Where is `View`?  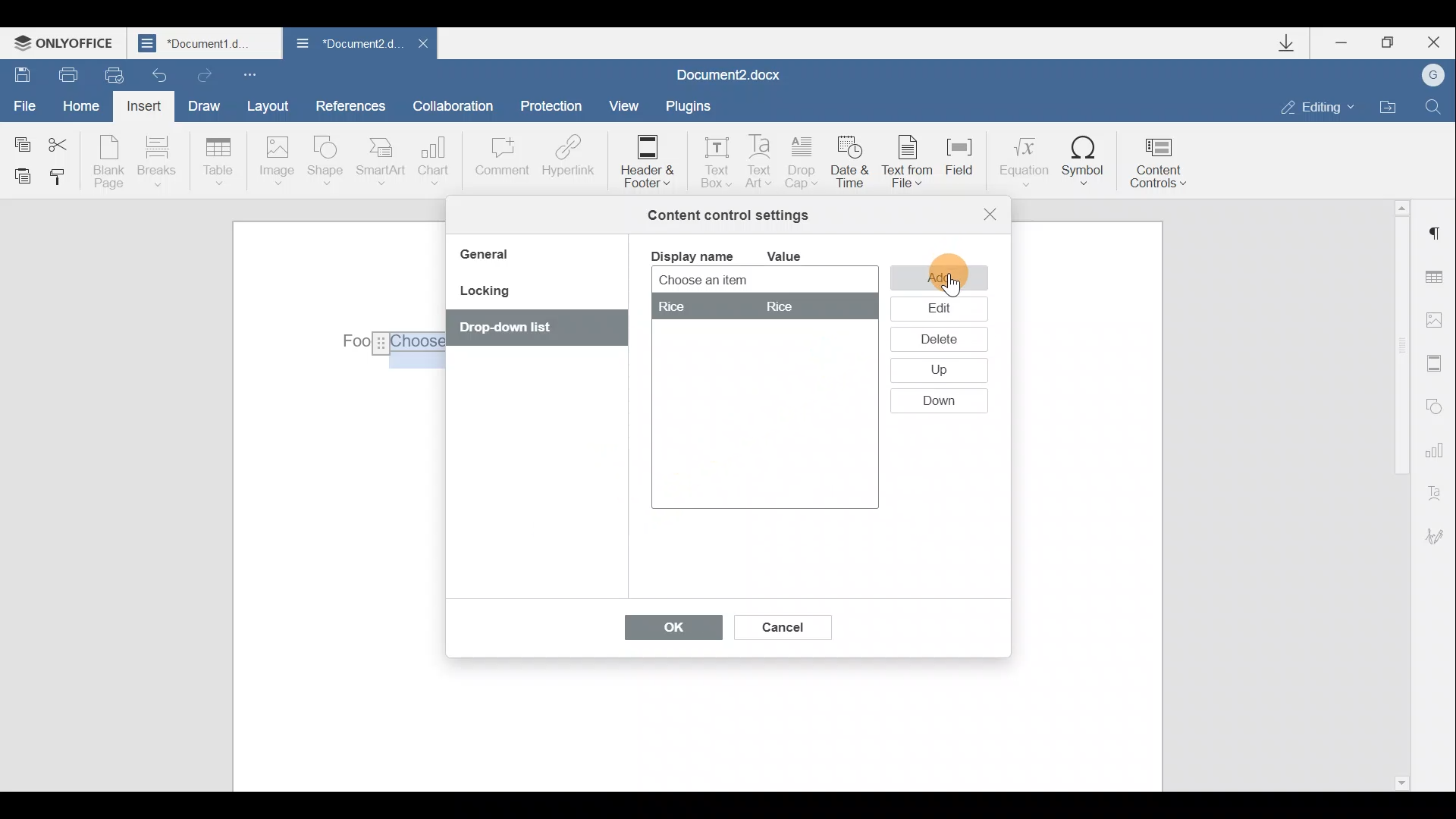 View is located at coordinates (625, 105).